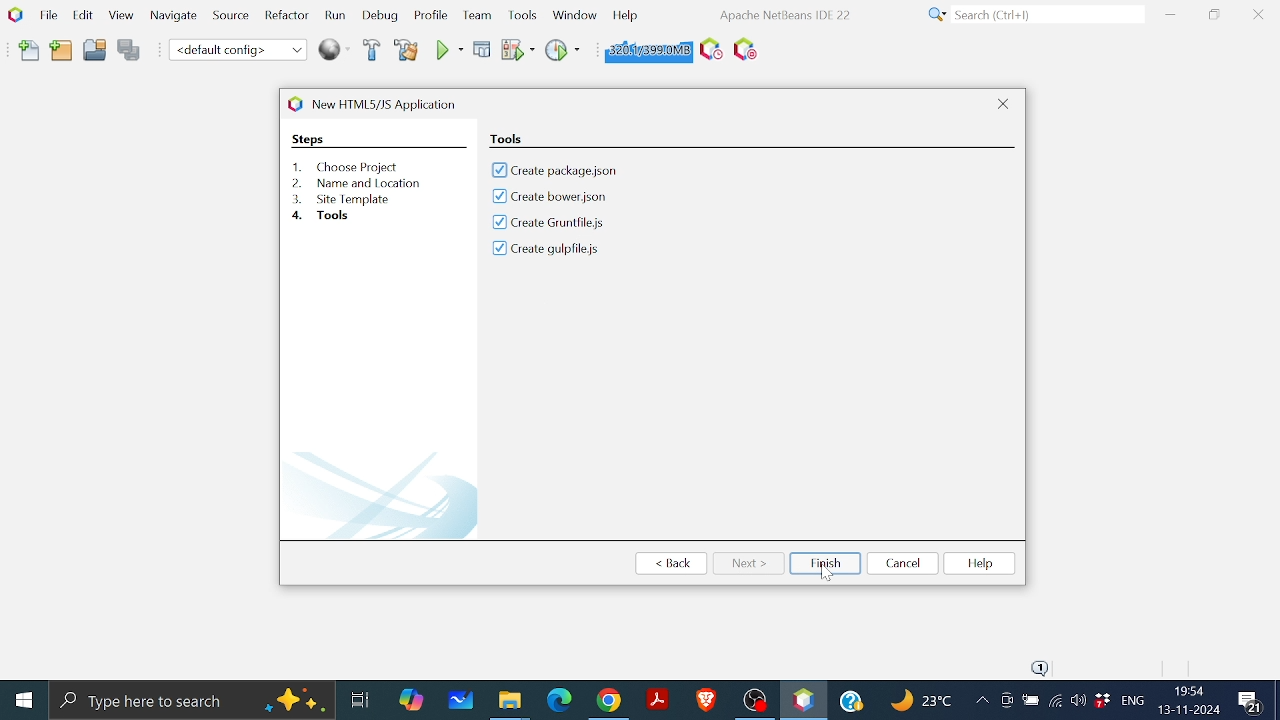 Image resolution: width=1280 pixels, height=720 pixels. What do you see at coordinates (1054, 703) in the screenshot?
I see `Internet Access` at bounding box center [1054, 703].